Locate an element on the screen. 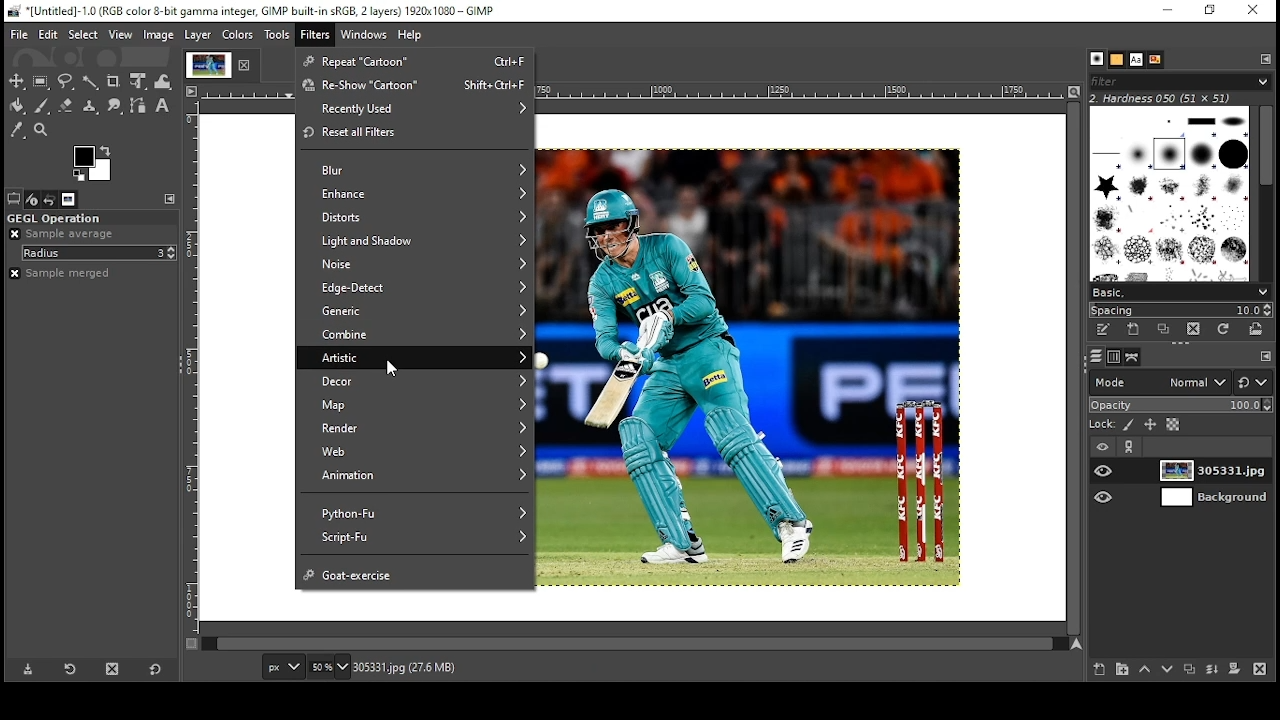 Image resolution: width=1280 pixels, height=720 pixels. lock is located at coordinates (1103, 424).